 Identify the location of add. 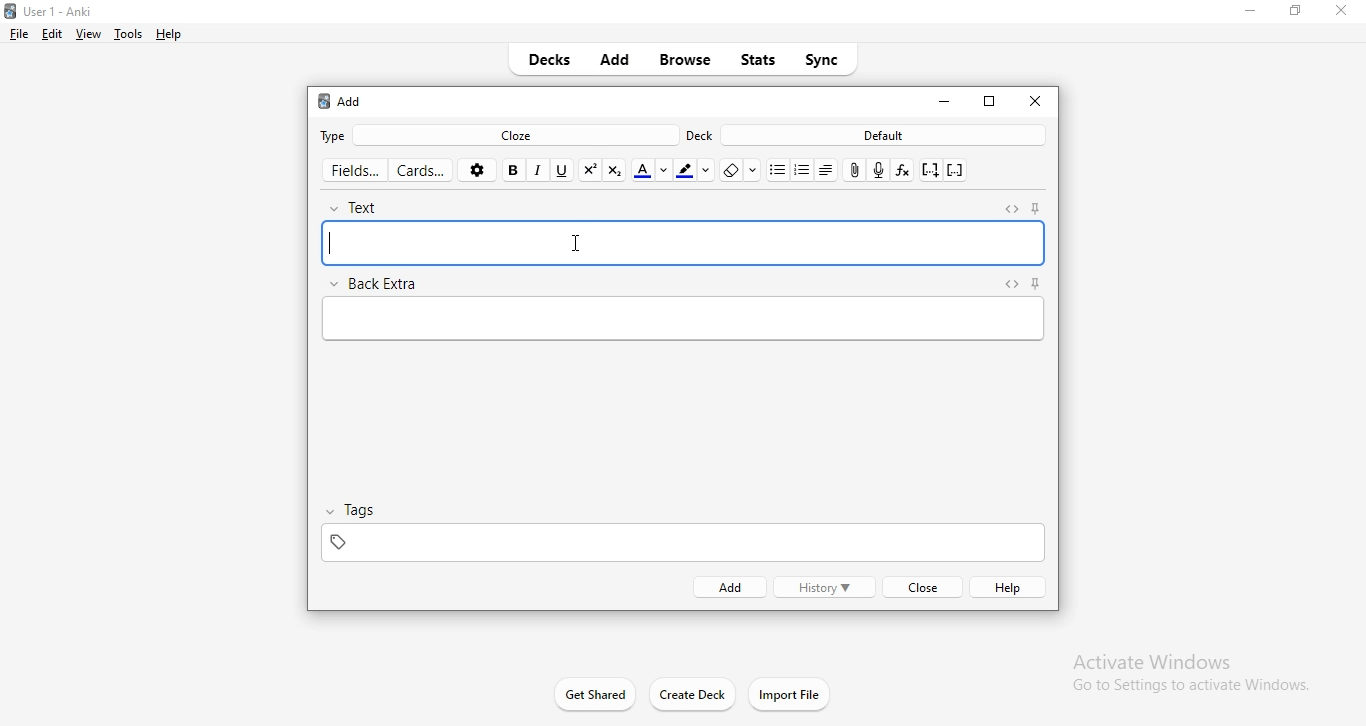
(727, 587).